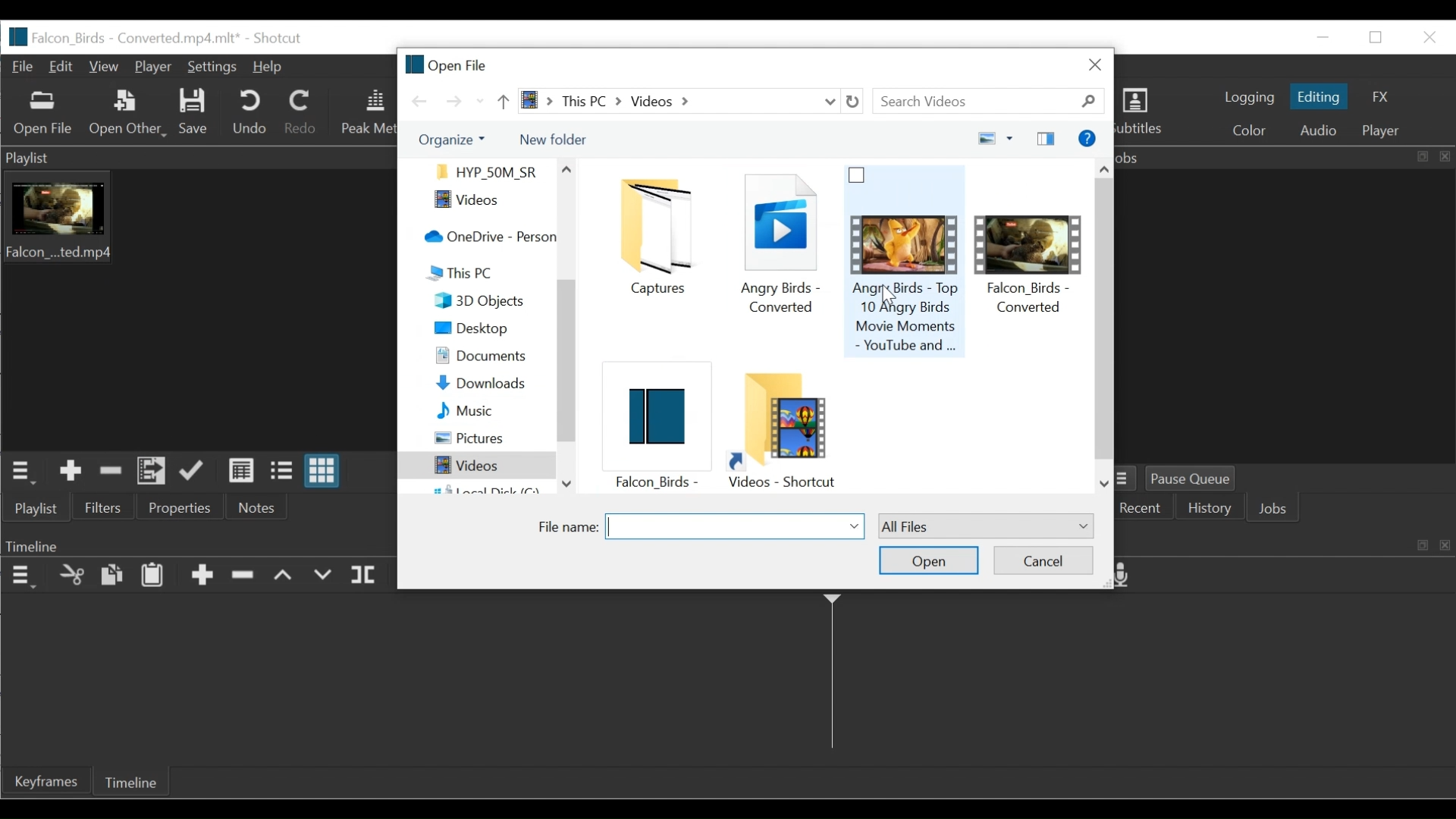 The width and height of the screenshot is (1456, 819). Describe the element at coordinates (212, 68) in the screenshot. I see `Settings` at that location.